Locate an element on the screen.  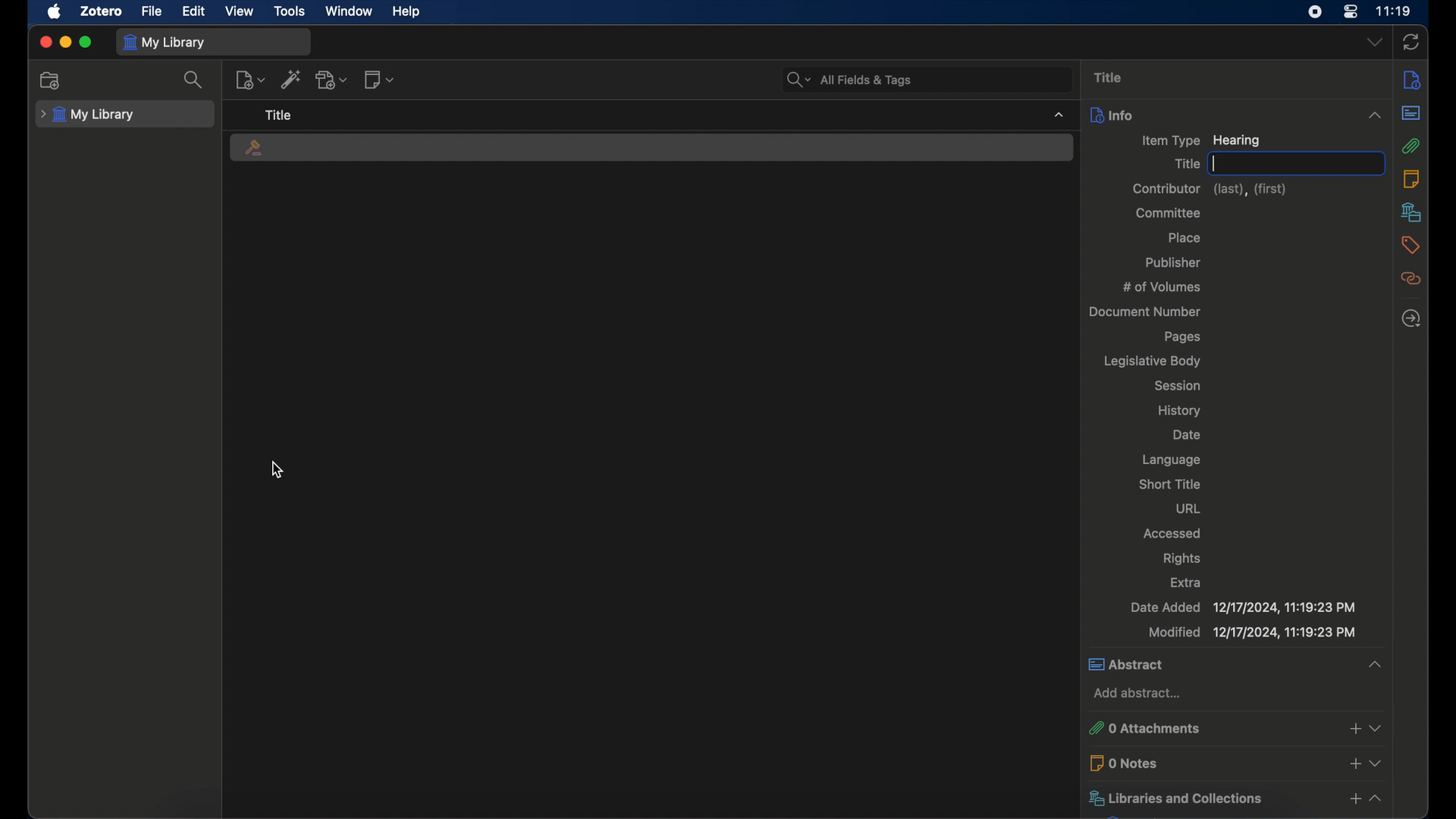
document number is located at coordinates (1147, 312).